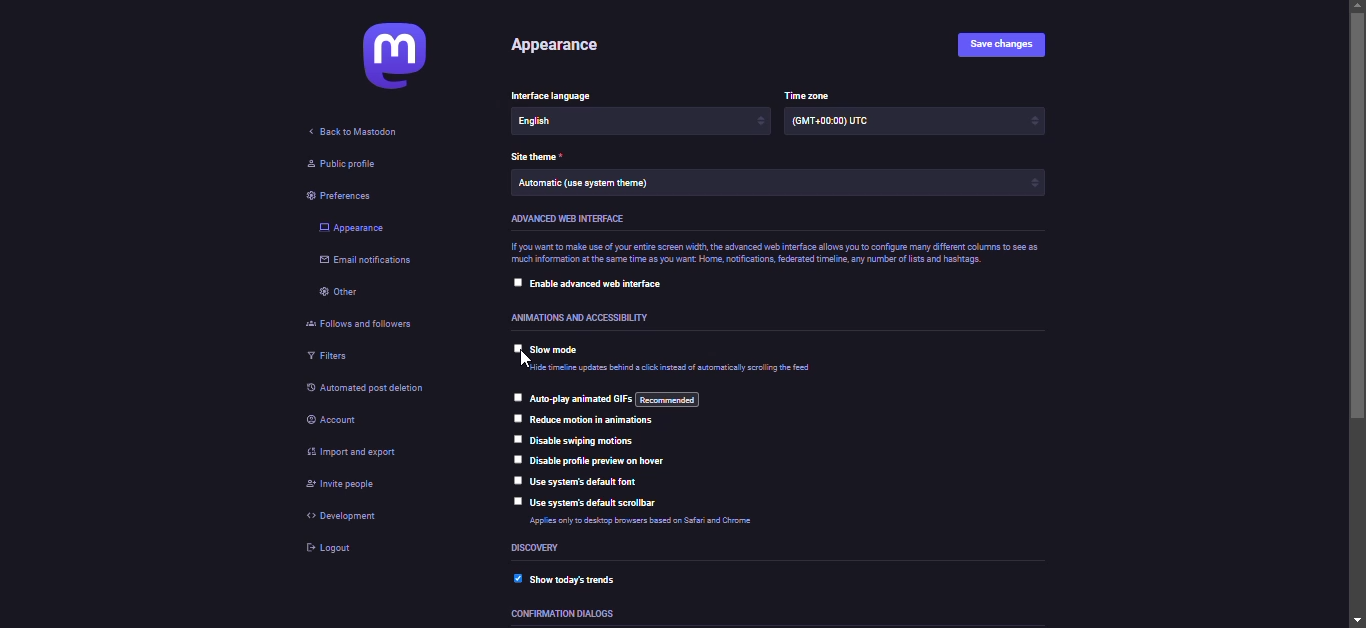 The width and height of the screenshot is (1366, 628). What do you see at coordinates (1035, 183) in the screenshot?
I see `increase/decrease arrows` at bounding box center [1035, 183].